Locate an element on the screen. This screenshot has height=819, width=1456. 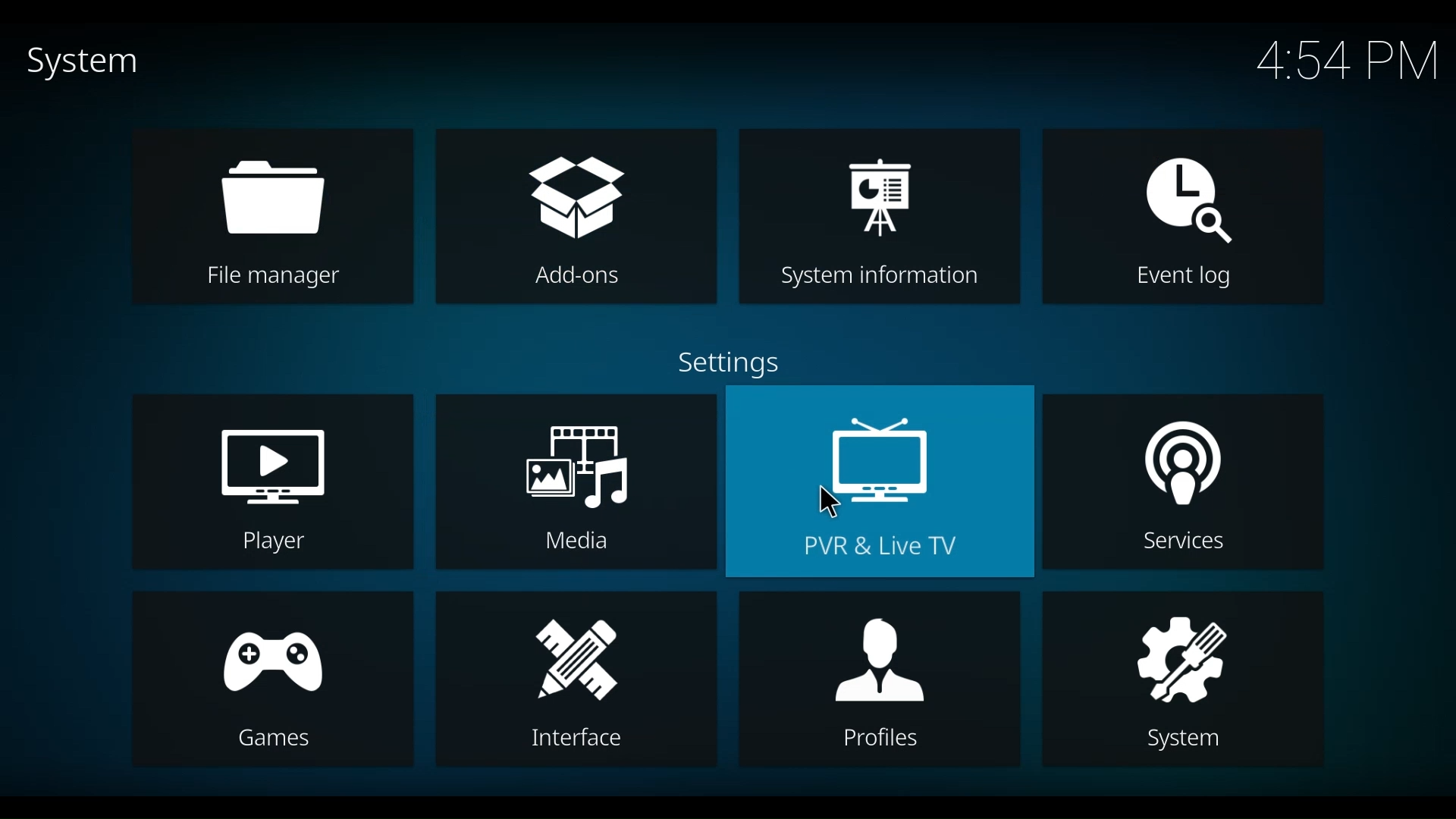
Cursor is located at coordinates (830, 502).